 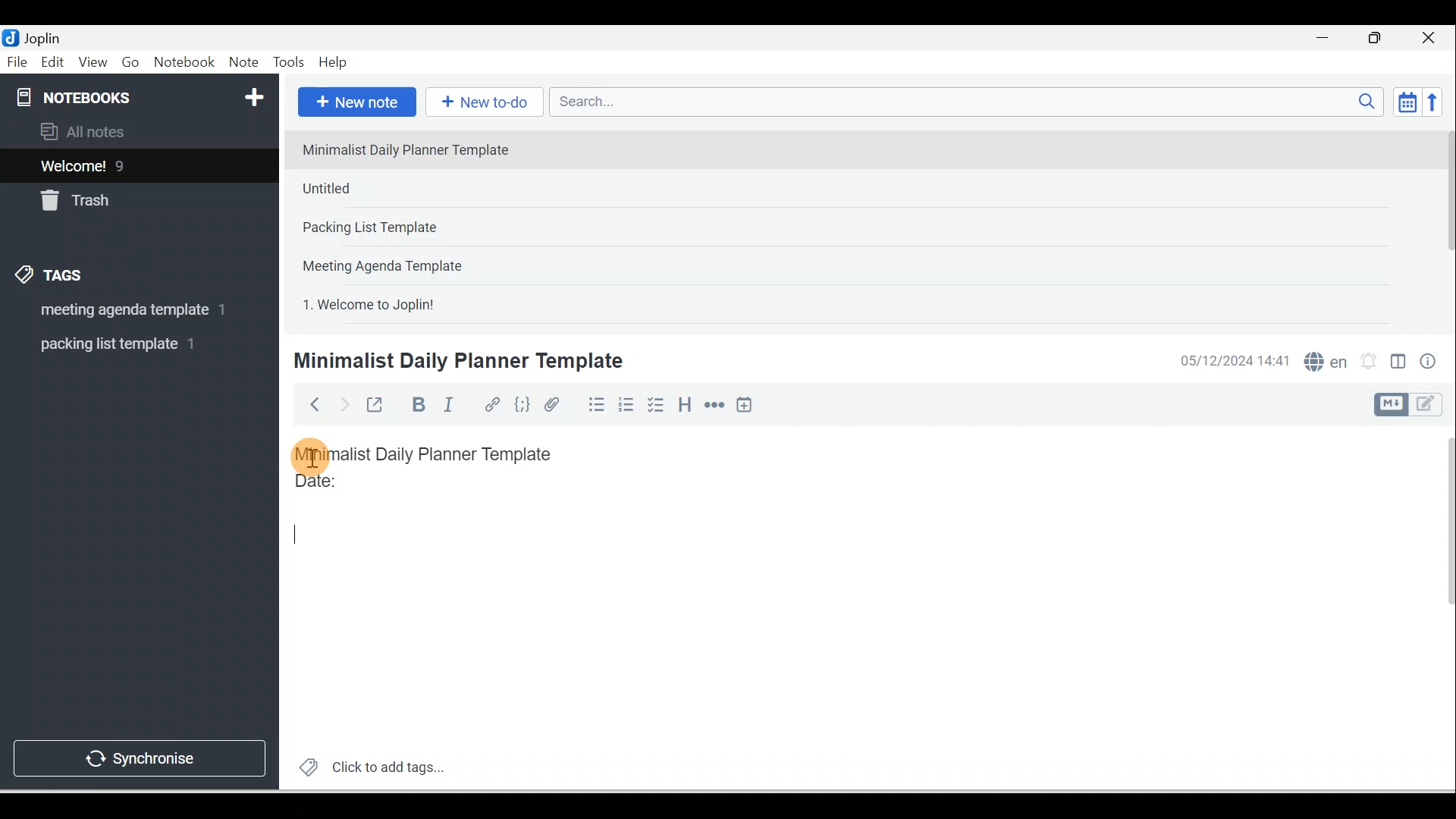 What do you see at coordinates (119, 311) in the screenshot?
I see `Tag 1` at bounding box center [119, 311].